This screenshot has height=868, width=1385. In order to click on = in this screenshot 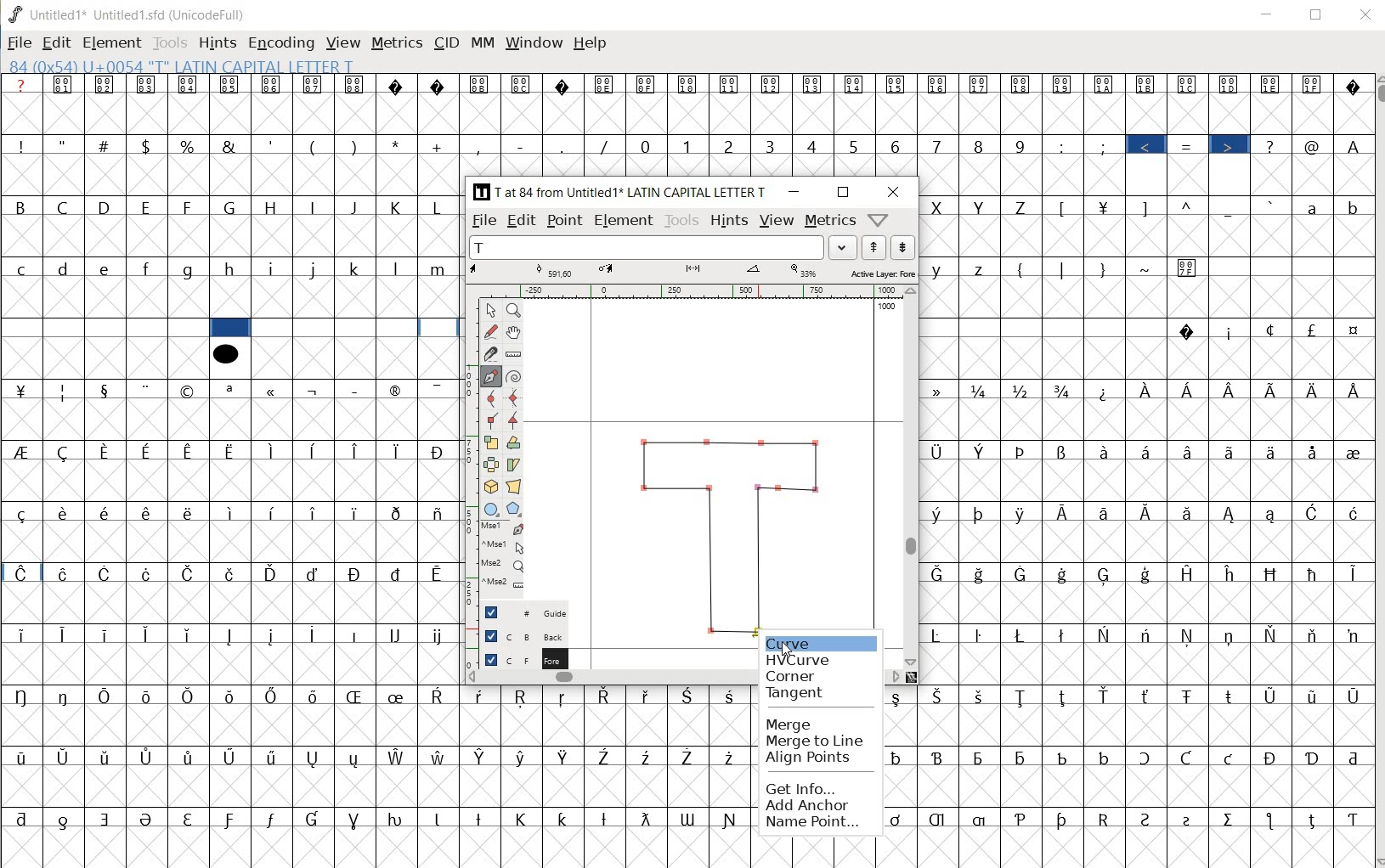, I will do `click(1190, 146)`.